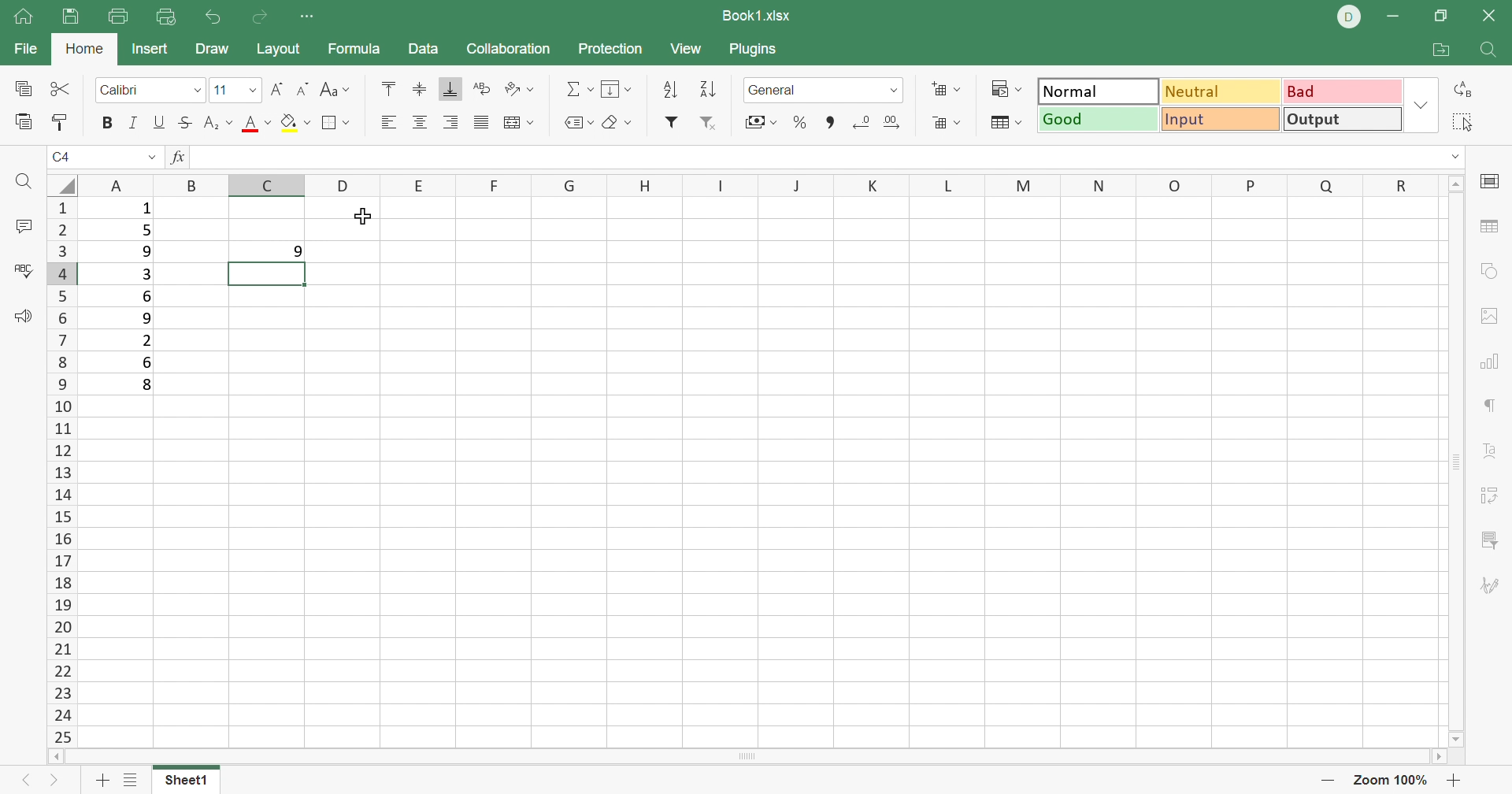  Describe the element at coordinates (669, 122) in the screenshot. I see `Filter` at that location.